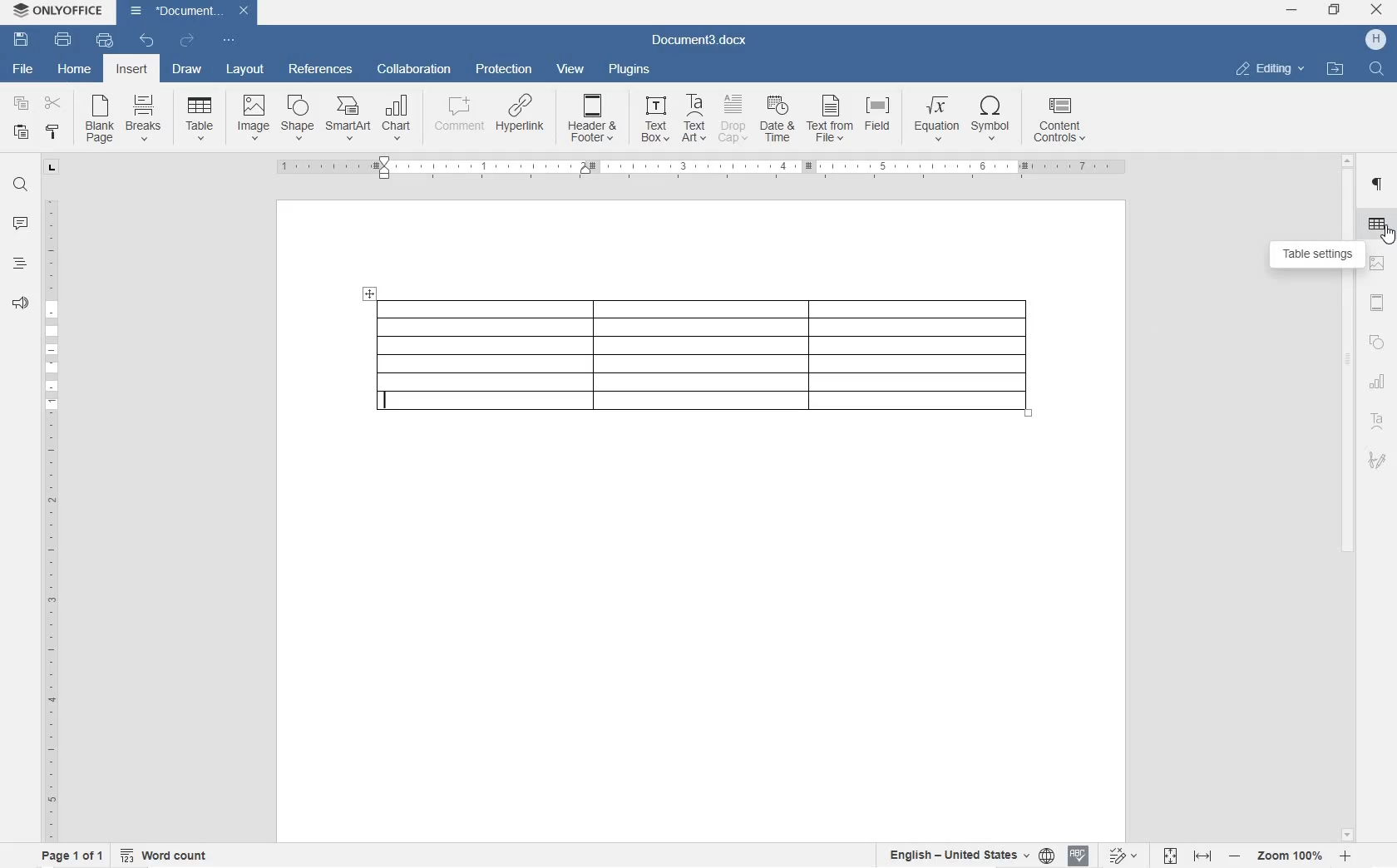  I want to click on SET TEXT OR DOCUMENT LANGUAGE, so click(969, 855).